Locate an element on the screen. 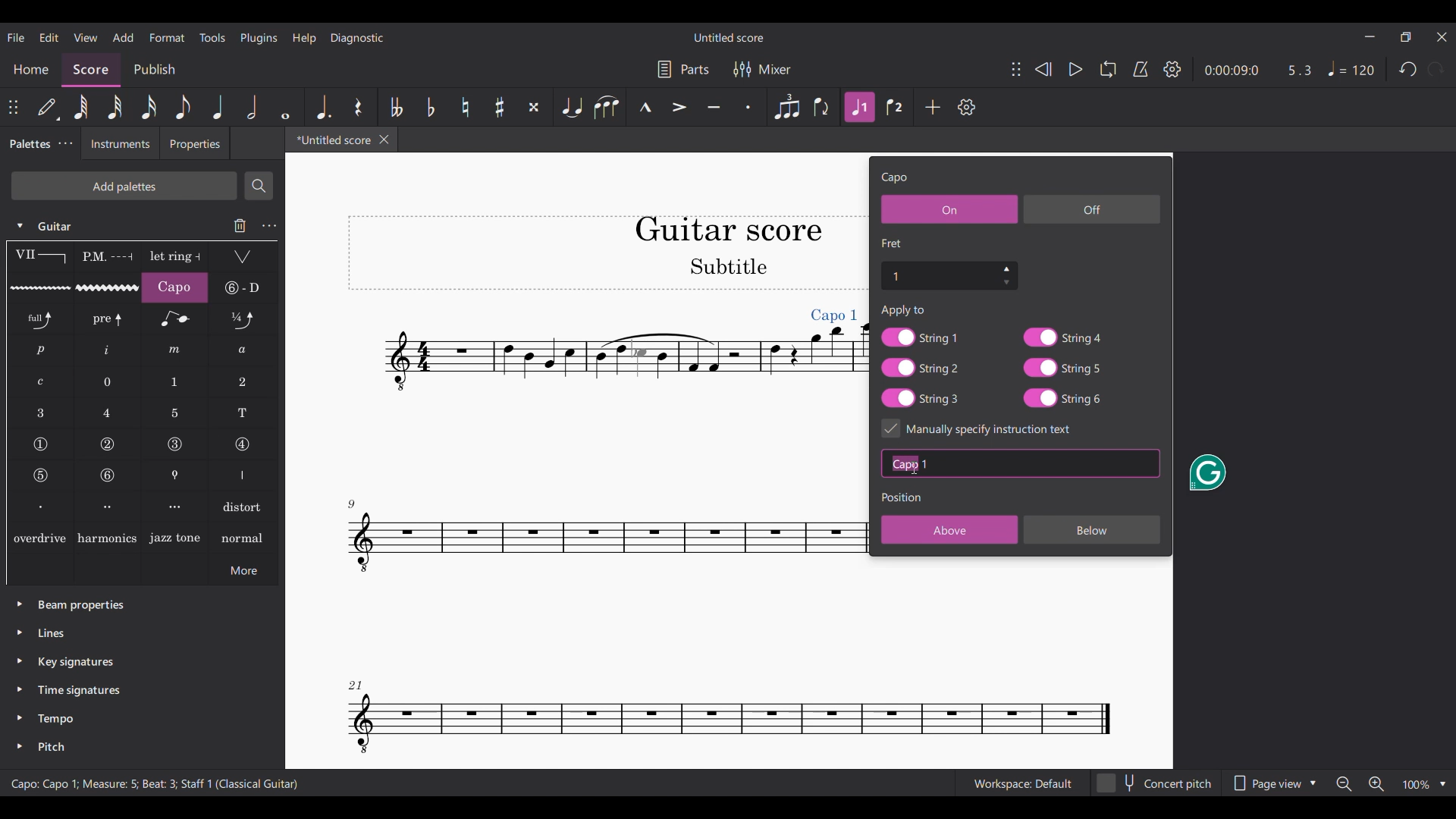  Help menu is located at coordinates (304, 39).